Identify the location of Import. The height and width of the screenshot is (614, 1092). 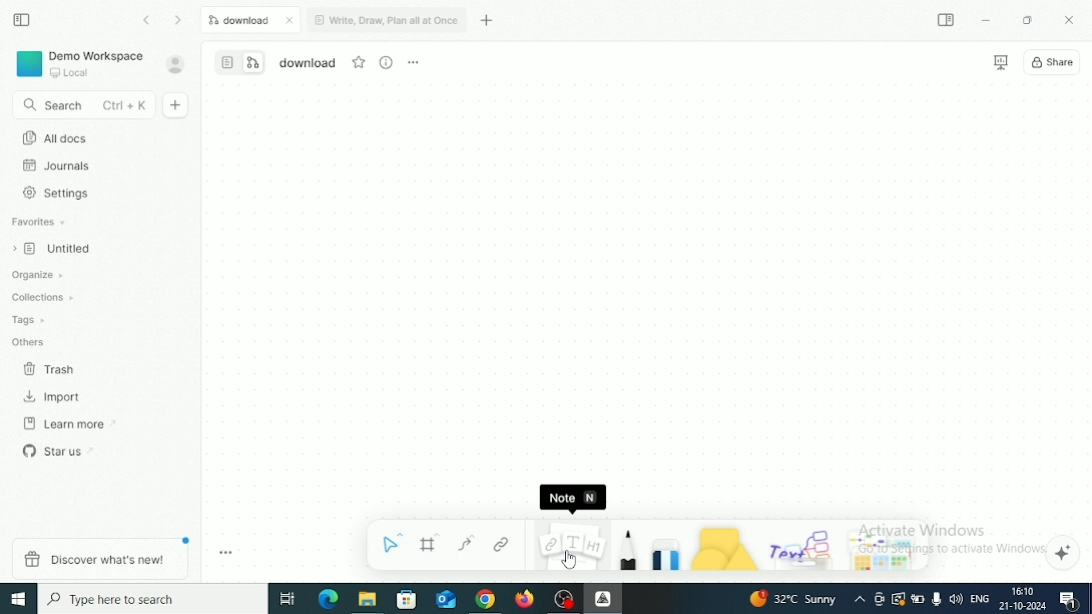
(53, 397).